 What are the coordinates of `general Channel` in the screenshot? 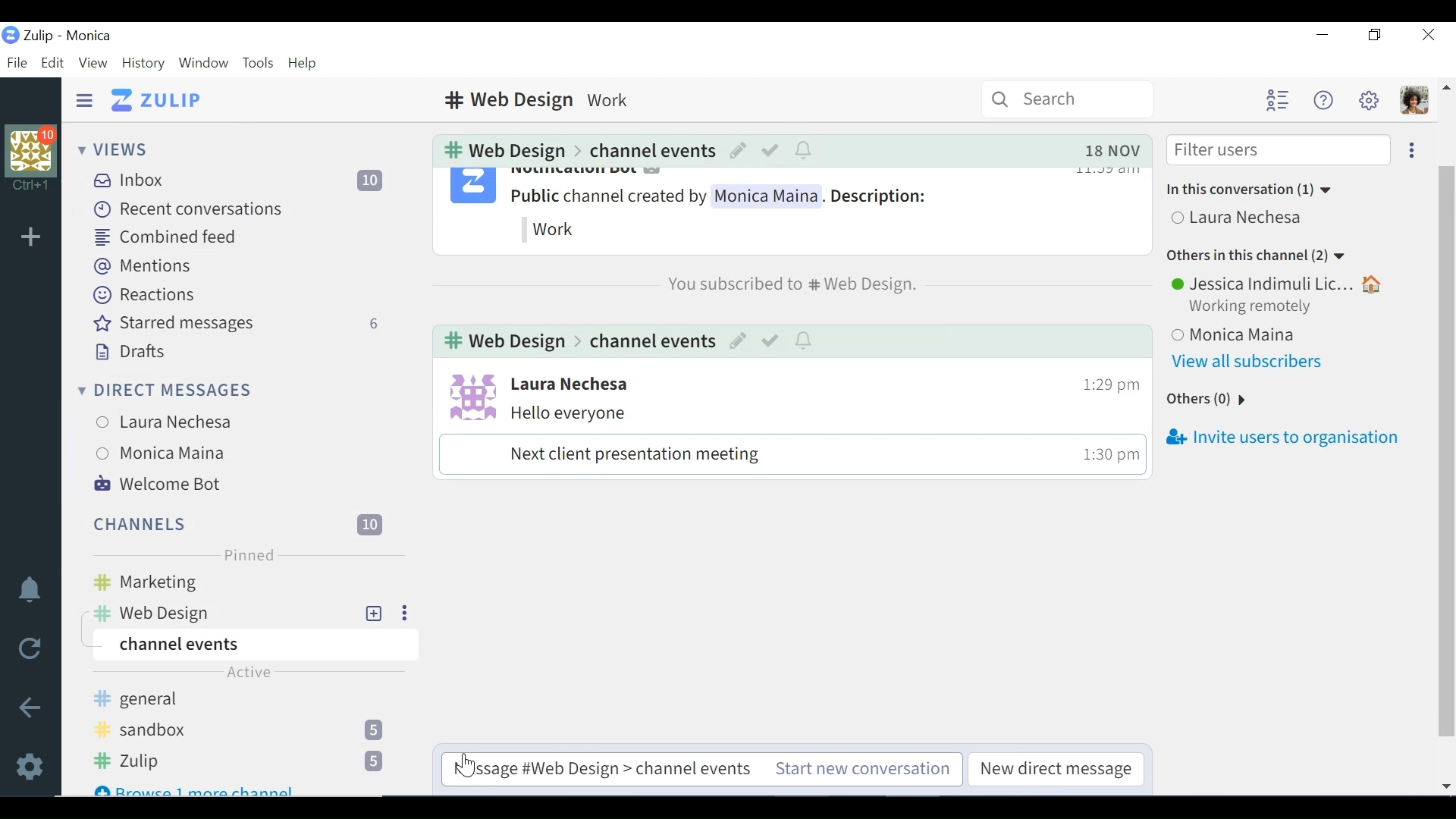 It's located at (243, 701).